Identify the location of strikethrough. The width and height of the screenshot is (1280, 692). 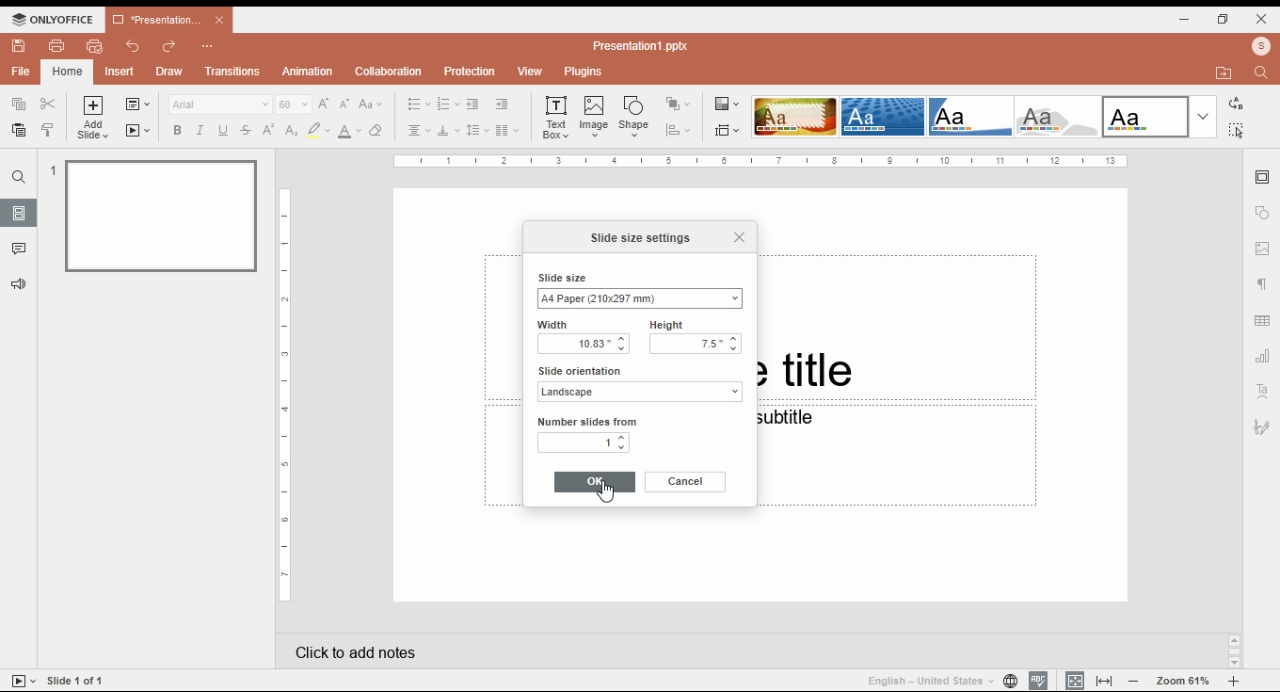
(246, 130).